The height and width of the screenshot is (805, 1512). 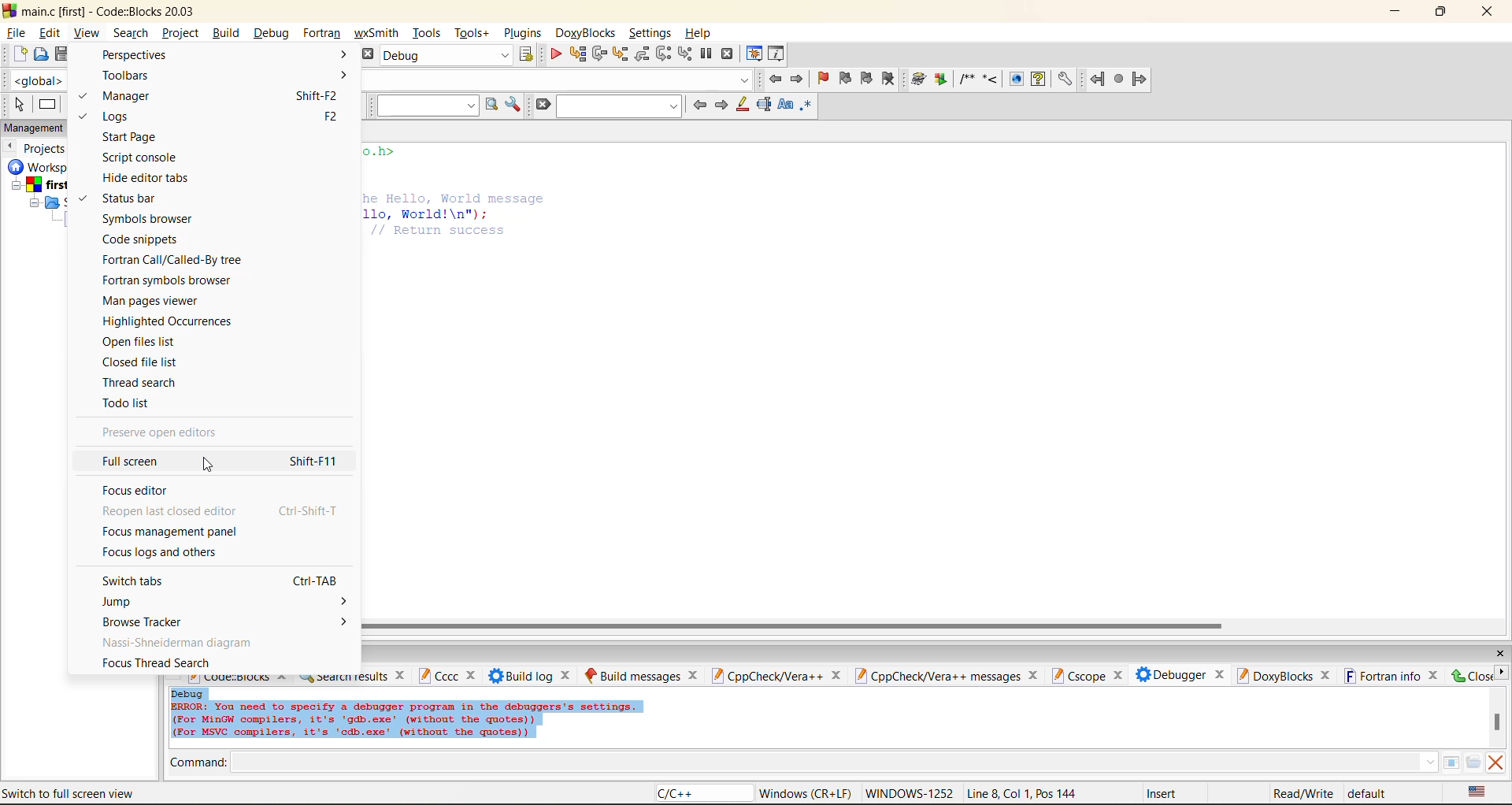 I want to click on nassi shneiderman diagram, so click(x=177, y=643).